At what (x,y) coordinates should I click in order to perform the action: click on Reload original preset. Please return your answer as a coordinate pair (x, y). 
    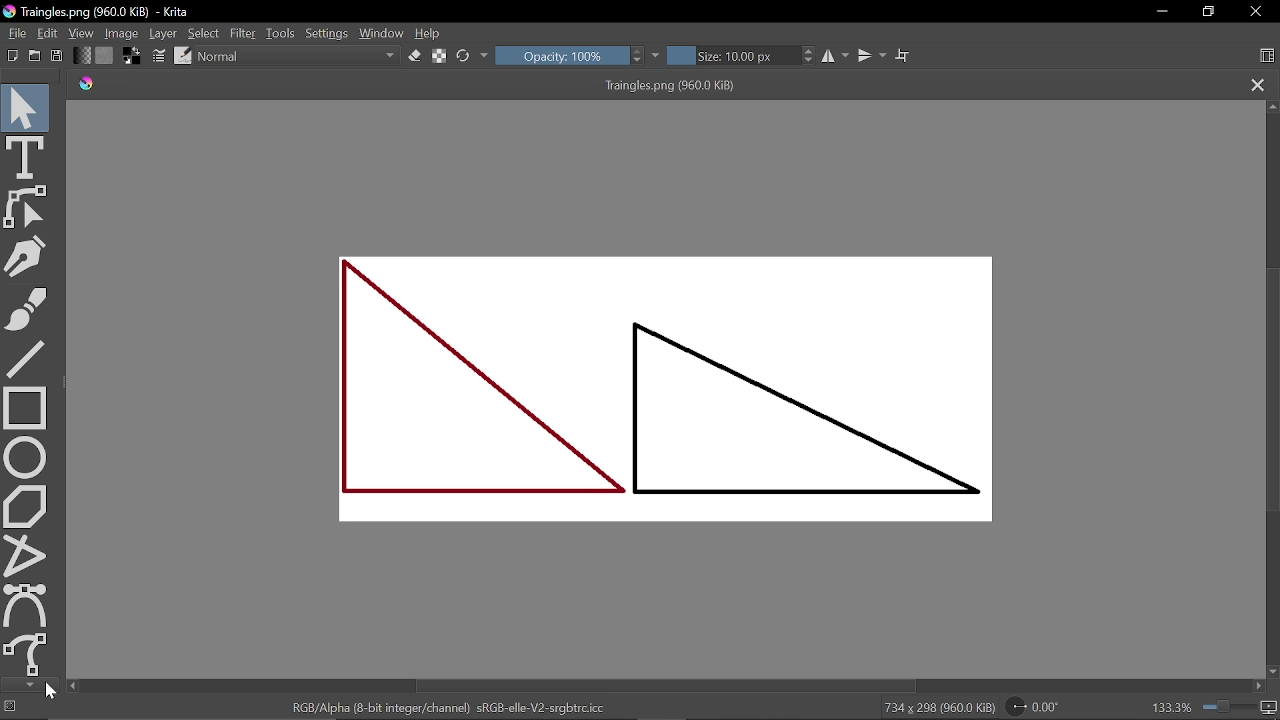
    Looking at the image, I should click on (464, 56).